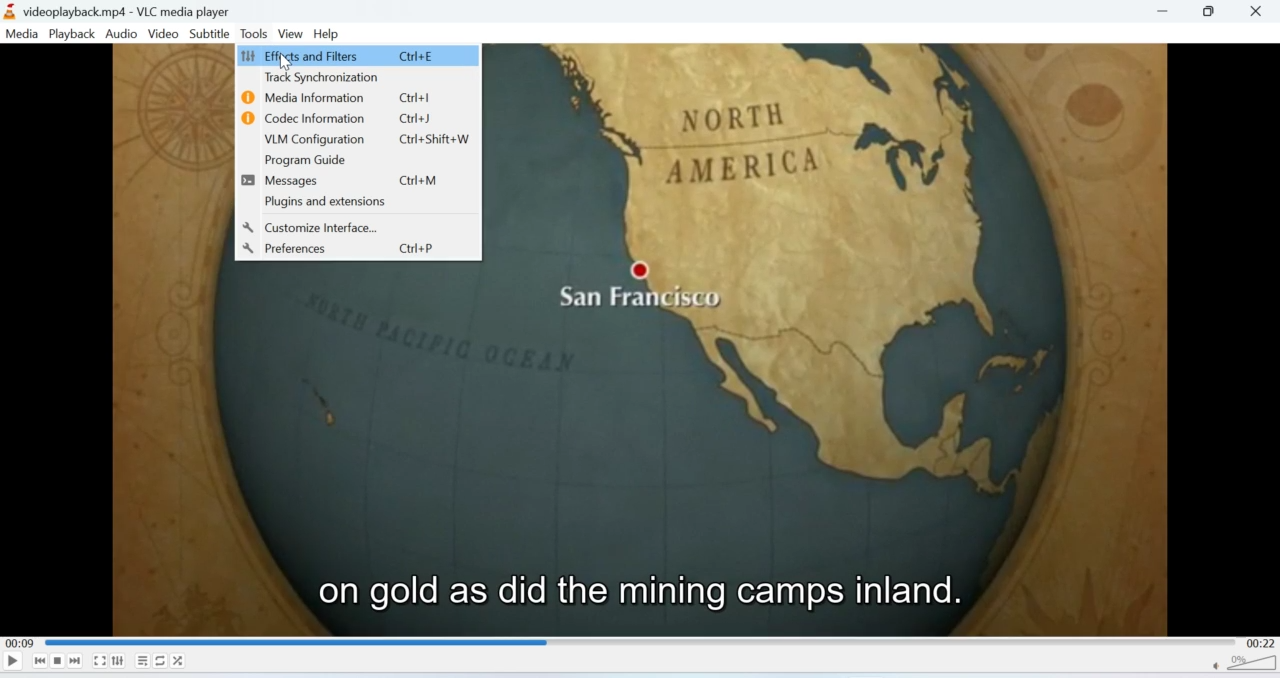 This screenshot has width=1280, height=678. Describe the element at coordinates (58, 661) in the screenshot. I see `Stop` at that location.